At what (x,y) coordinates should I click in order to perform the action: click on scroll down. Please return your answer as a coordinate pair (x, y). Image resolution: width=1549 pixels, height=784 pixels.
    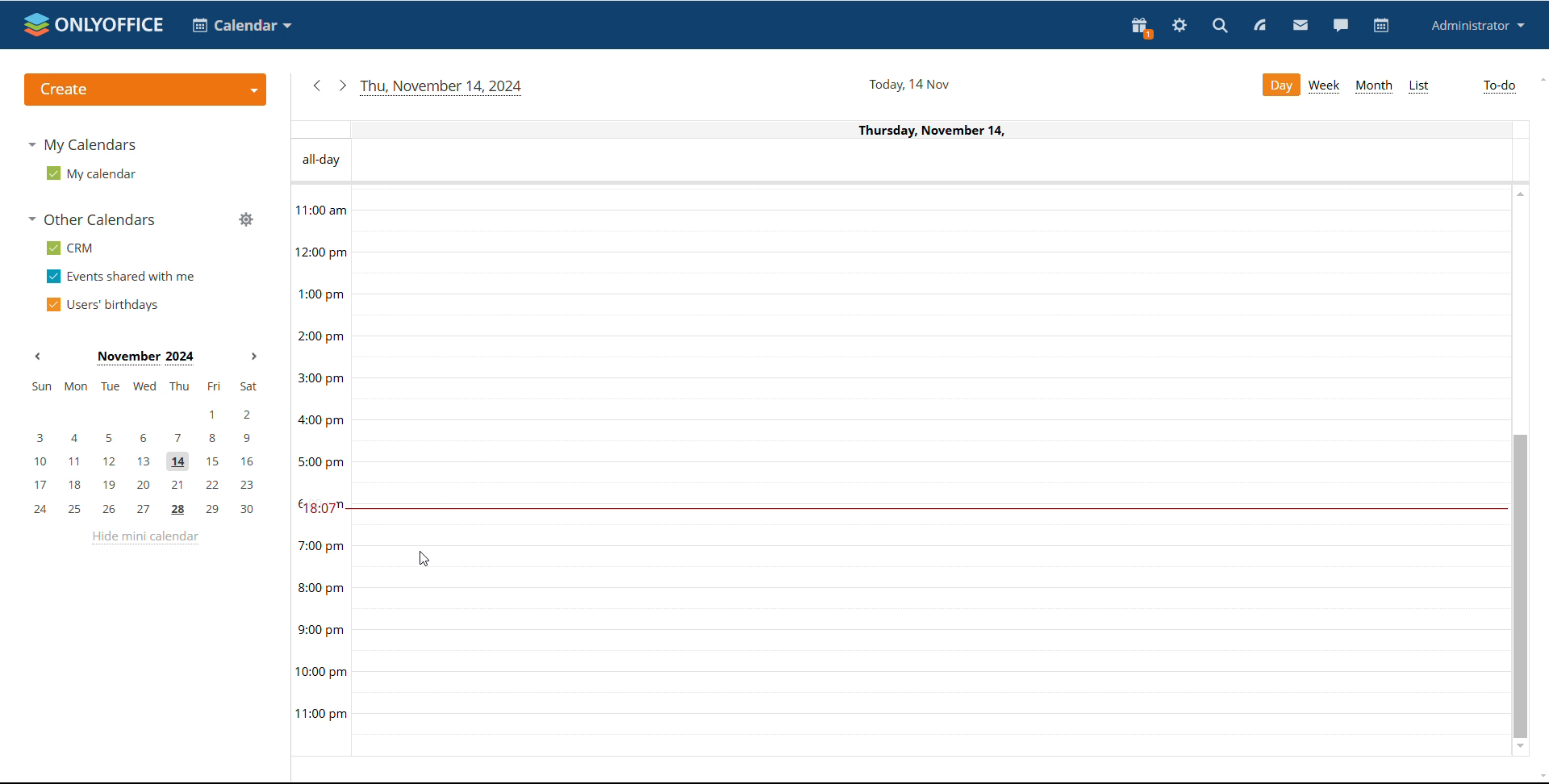
    Looking at the image, I should click on (1539, 778).